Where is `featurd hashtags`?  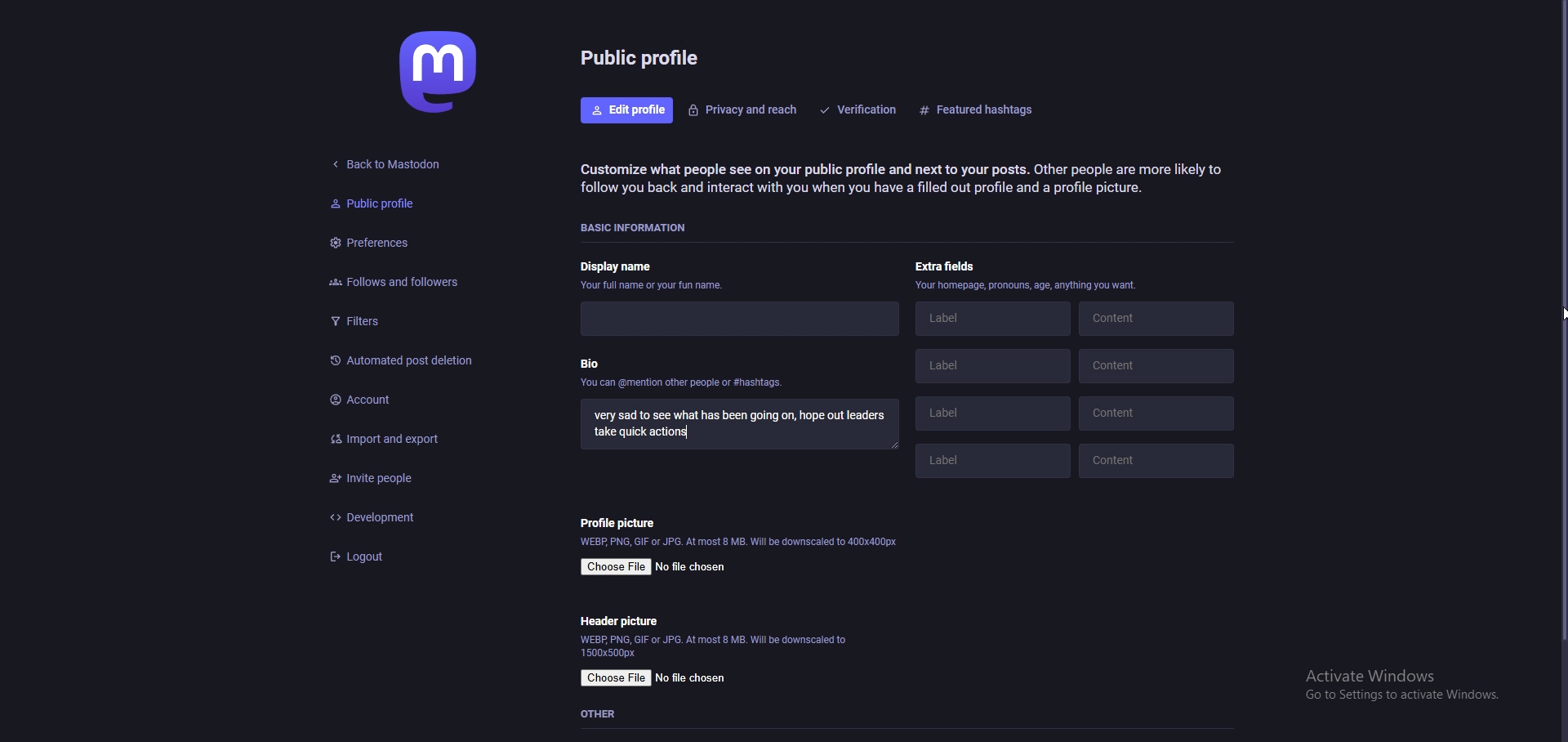
featurd hashtags is located at coordinates (982, 110).